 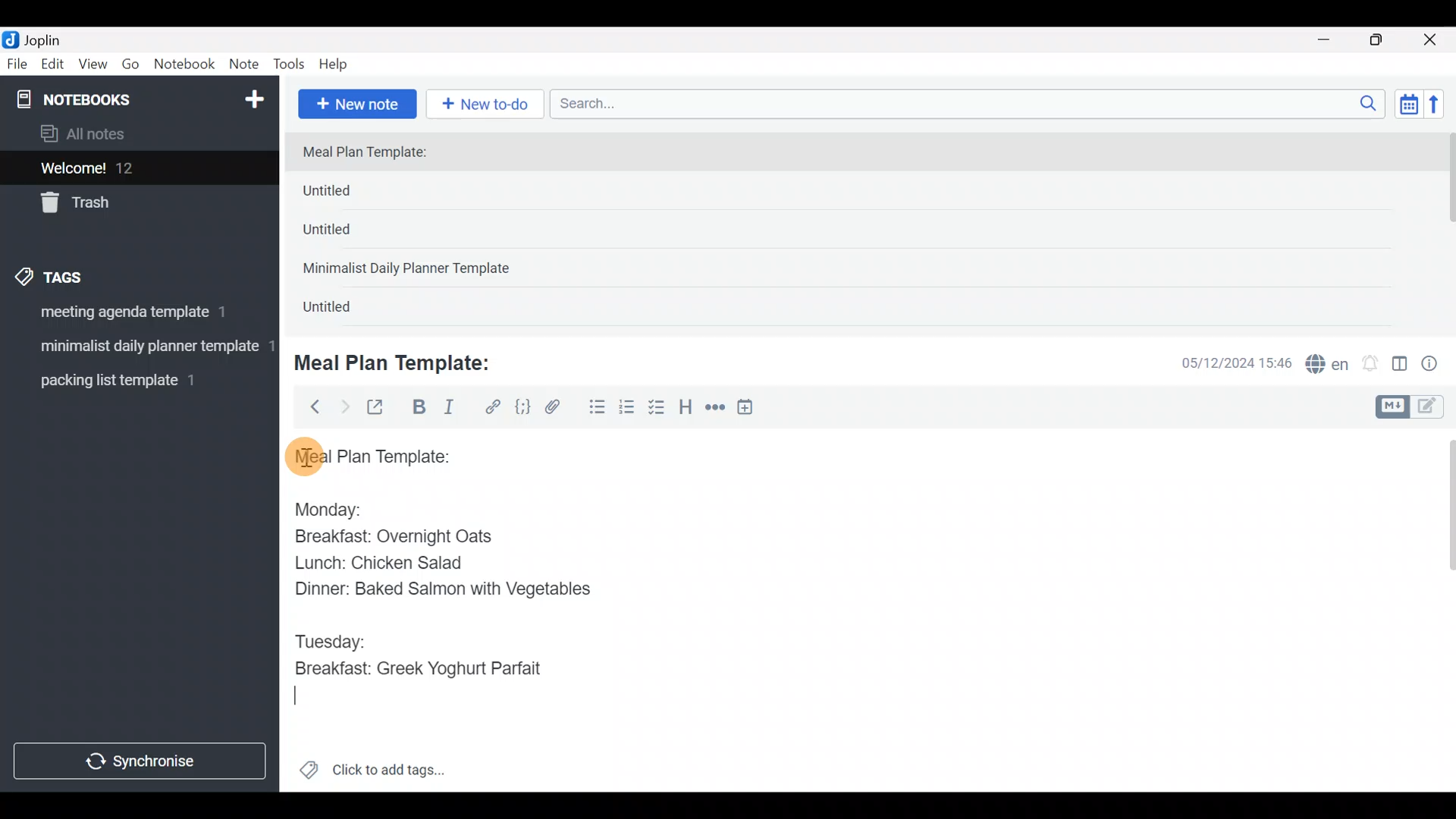 I want to click on Checkbox, so click(x=658, y=409).